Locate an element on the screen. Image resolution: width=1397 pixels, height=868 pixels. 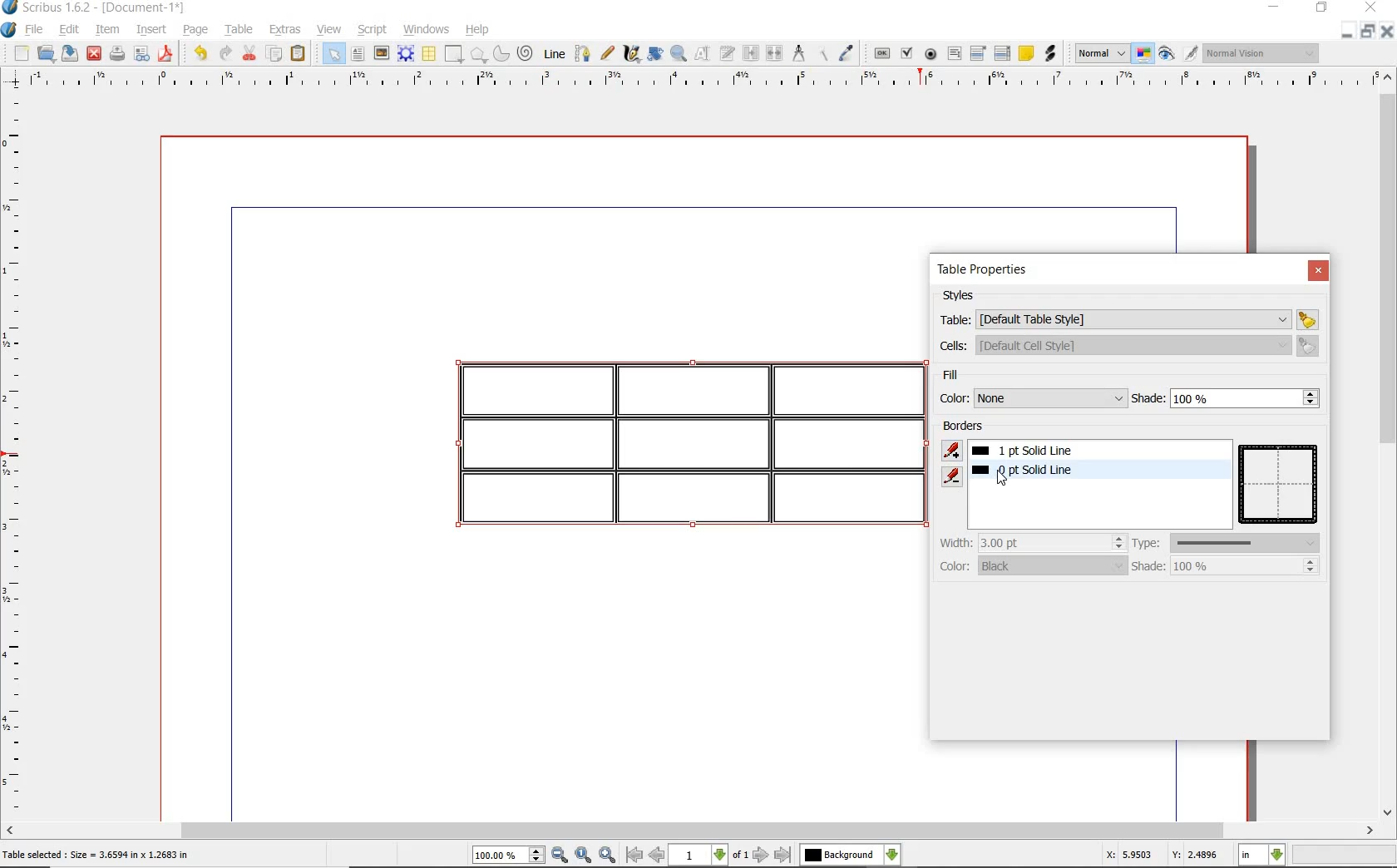
paste is located at coordinates (299, 53).